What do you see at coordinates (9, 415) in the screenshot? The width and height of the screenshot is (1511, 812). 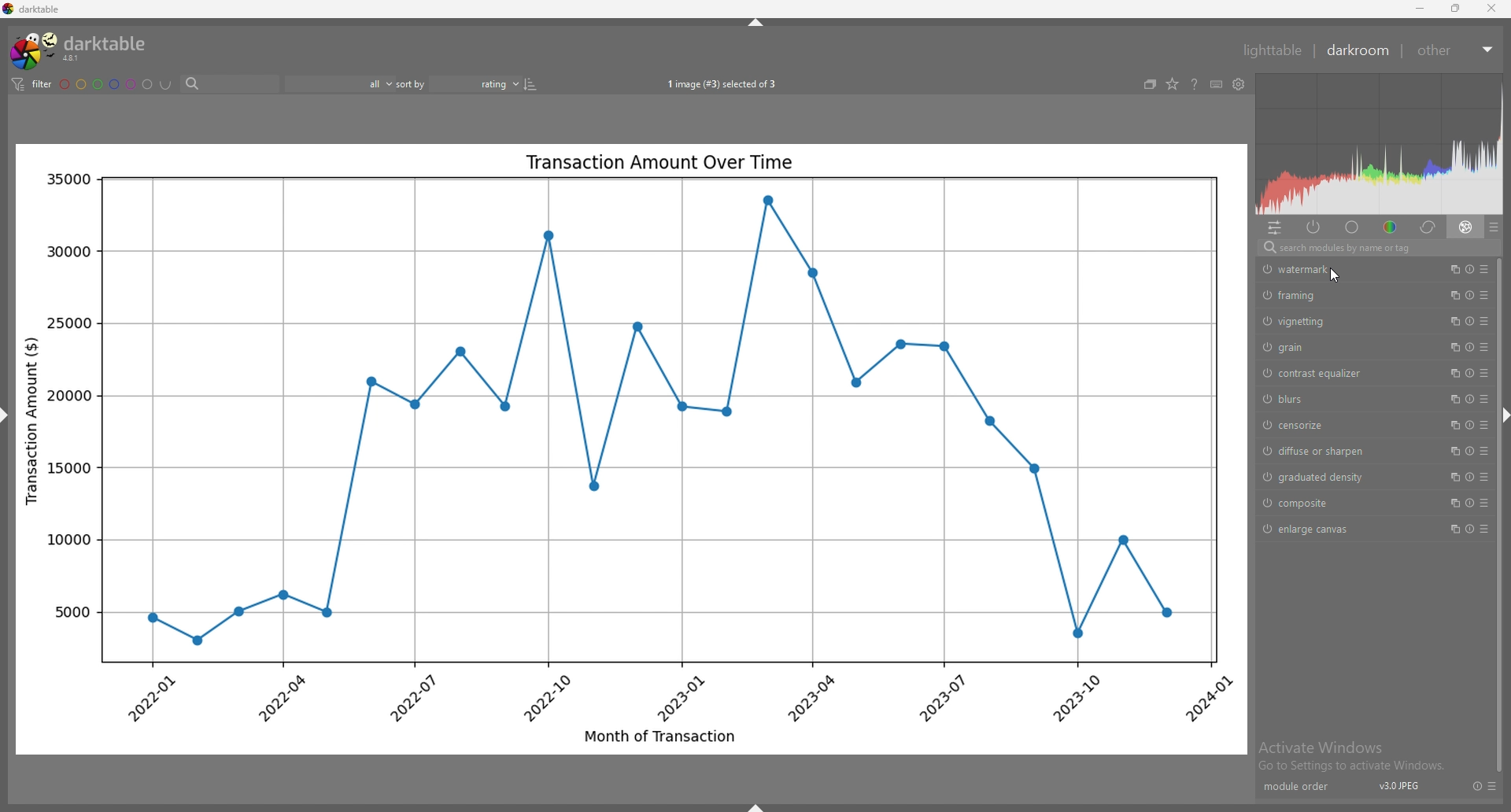 I see `hide` at bounding box center [9, 415].